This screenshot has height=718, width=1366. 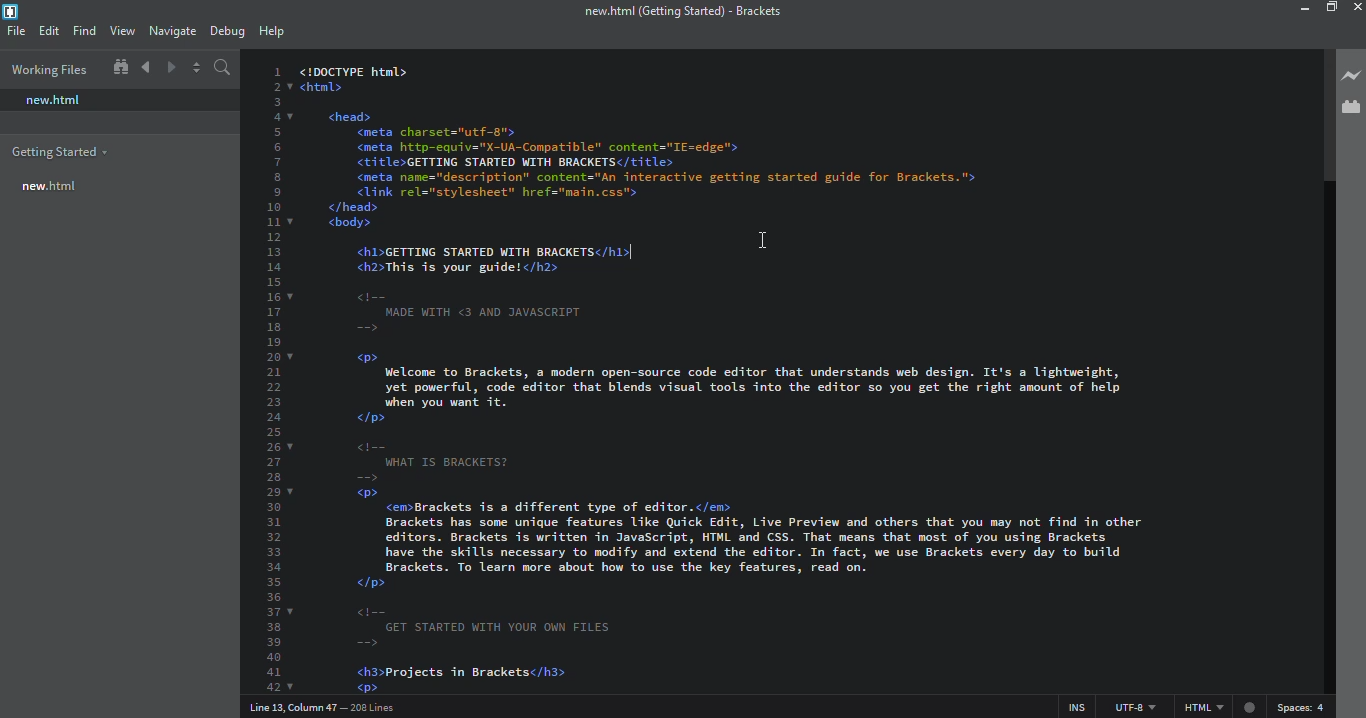 I want to click on close, so click(x=1355, y=7).